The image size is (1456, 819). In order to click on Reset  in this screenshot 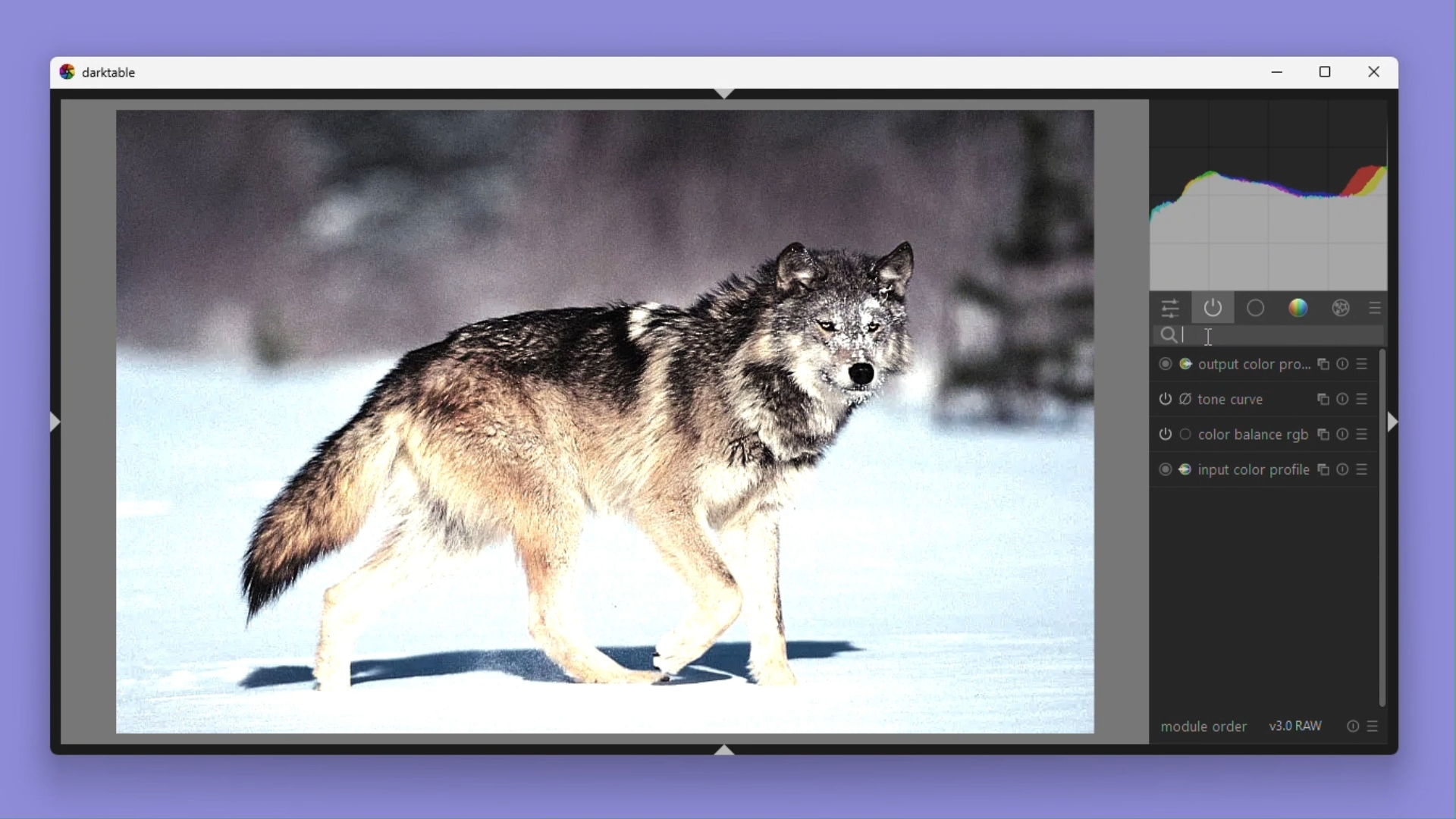, I will do `click(1345, 469)`.